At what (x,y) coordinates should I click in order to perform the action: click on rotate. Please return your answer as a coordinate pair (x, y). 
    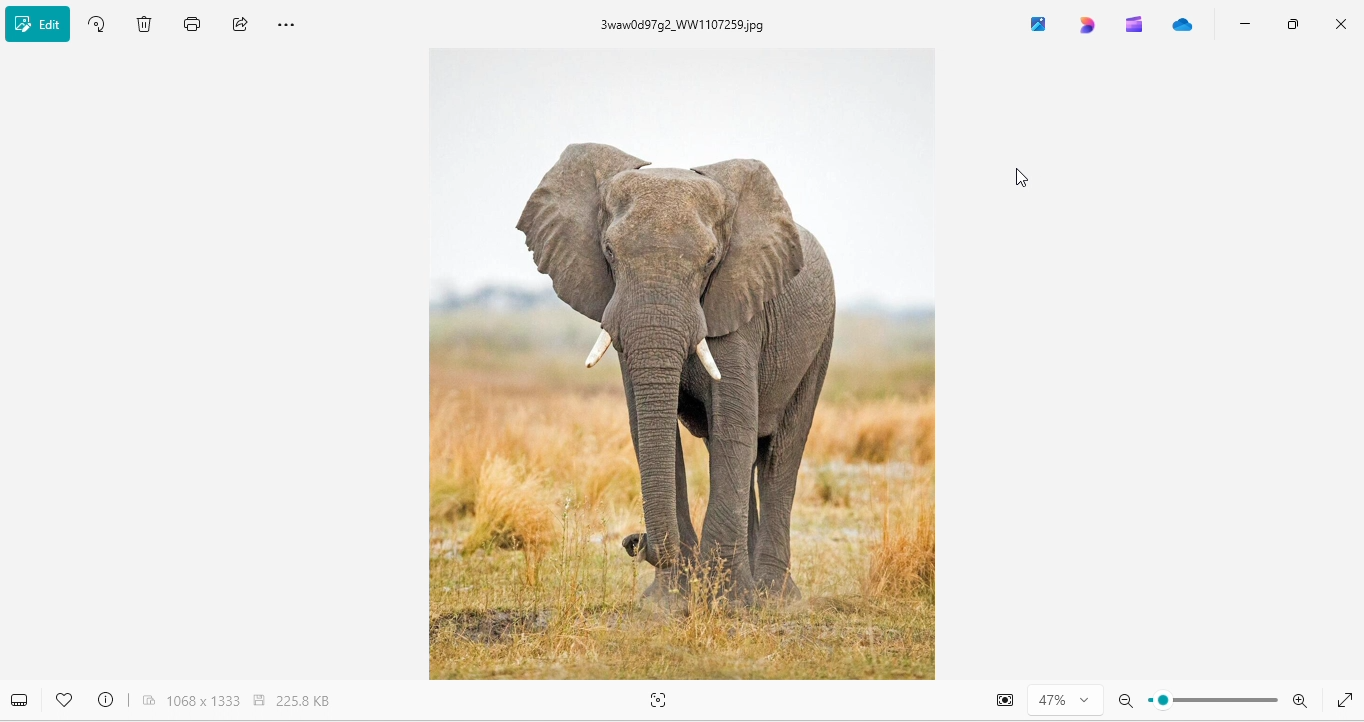
    Looking at the image, I should click on (102, 23).